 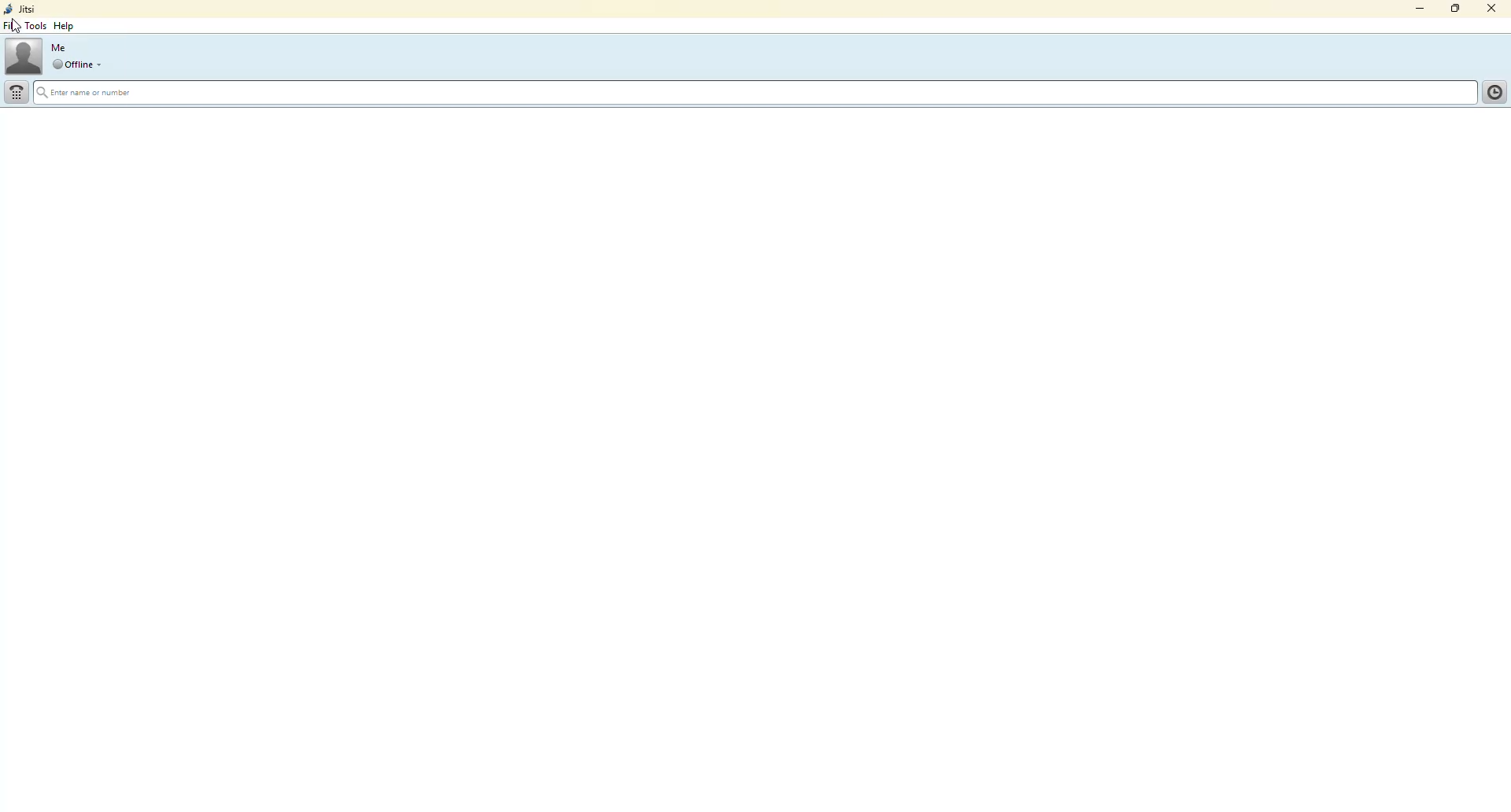 What do you see at coordinates (21, 9) in the screenshot?
I see `jitsi` at bounding box center [21, 9].